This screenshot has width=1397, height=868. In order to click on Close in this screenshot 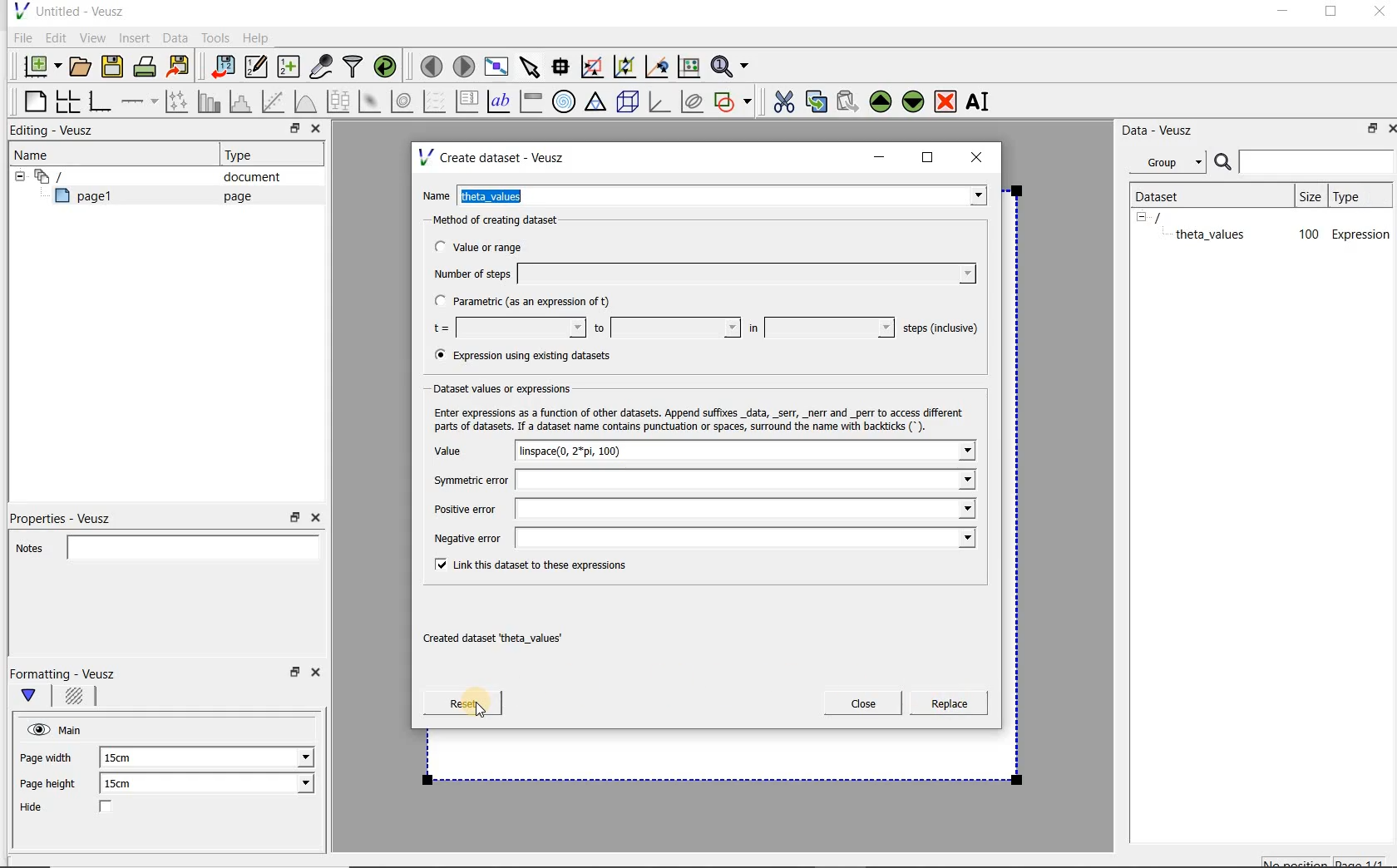, I will do `click(1389, 127)`.